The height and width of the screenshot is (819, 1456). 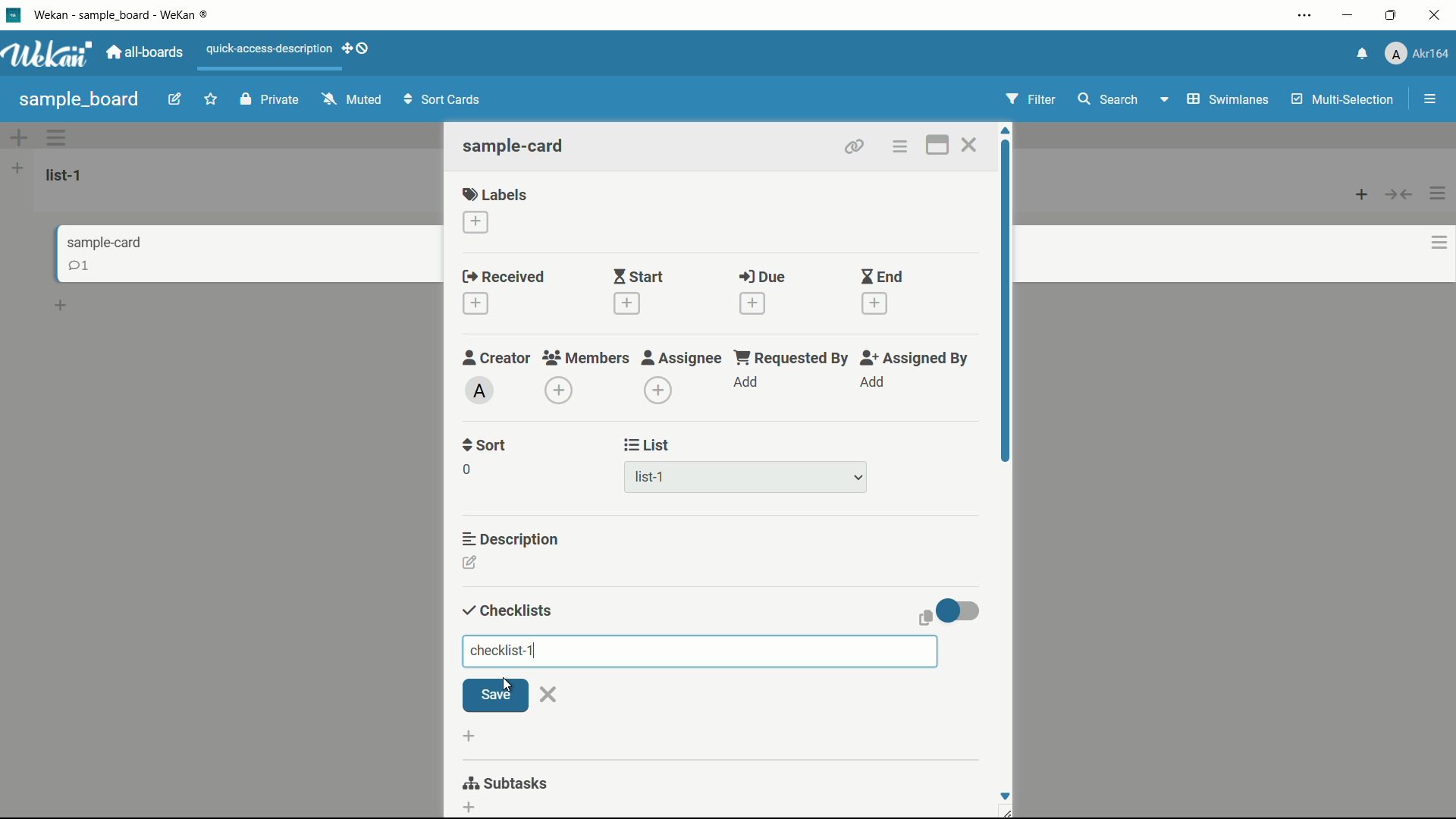 I want to click on list, so click(x=649, y=447).